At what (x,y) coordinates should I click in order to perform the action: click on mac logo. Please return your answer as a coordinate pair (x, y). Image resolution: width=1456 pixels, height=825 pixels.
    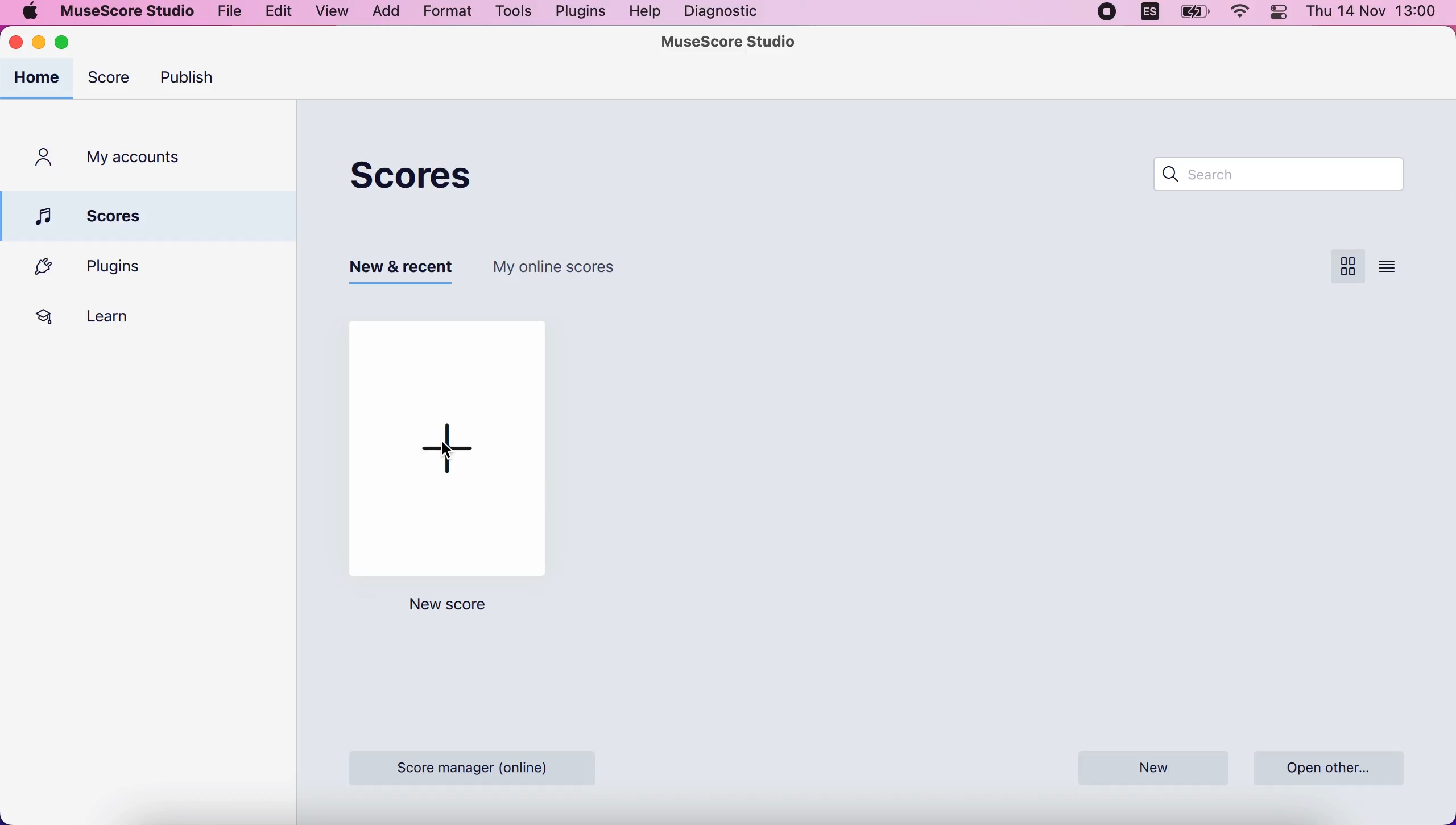
    Looking at the image, I should click on (28, 11).